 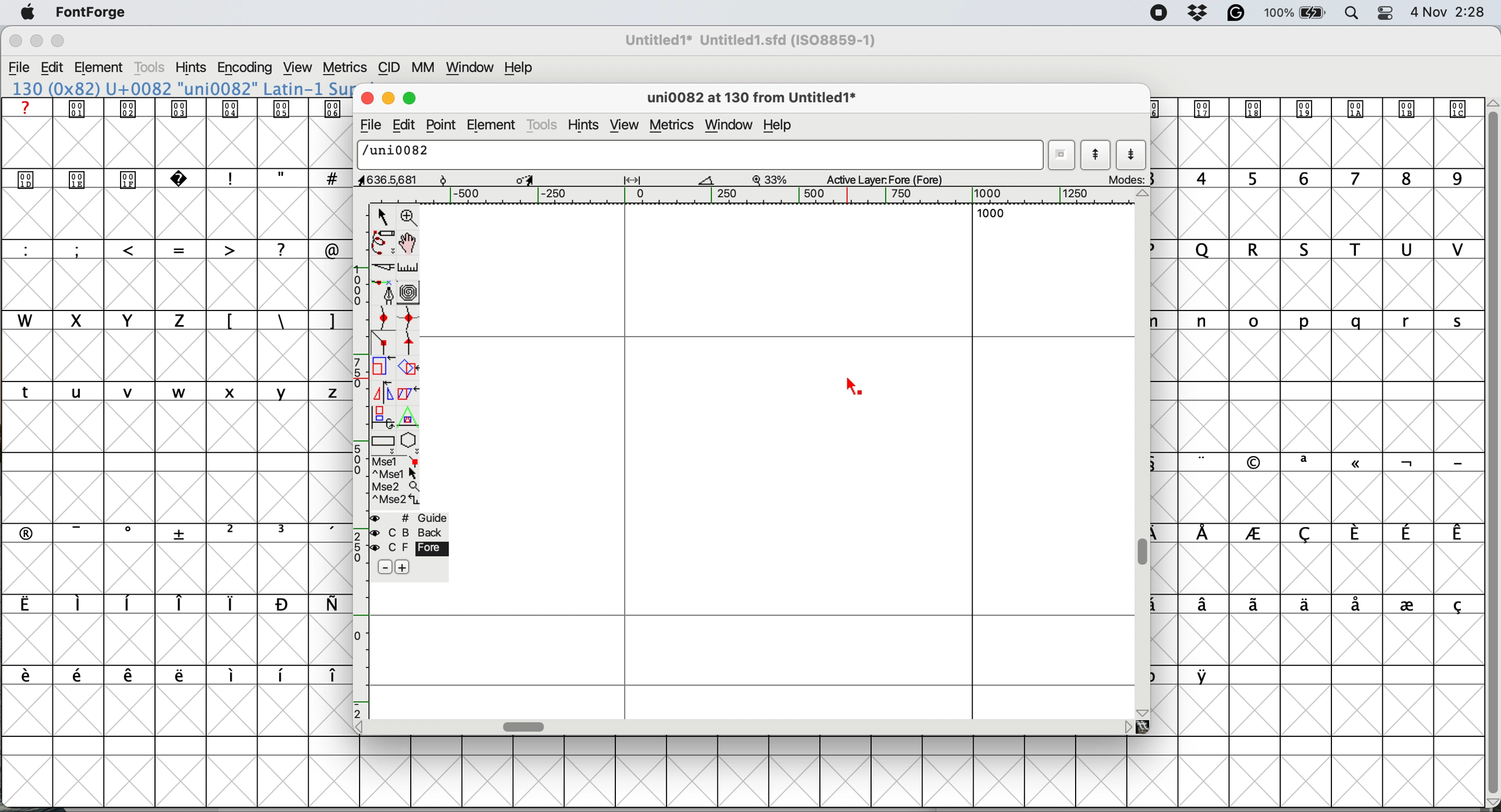 What do you see at coordinates (369, 125) in the screenshot?
I see `file` at bounding box center [369, 125].